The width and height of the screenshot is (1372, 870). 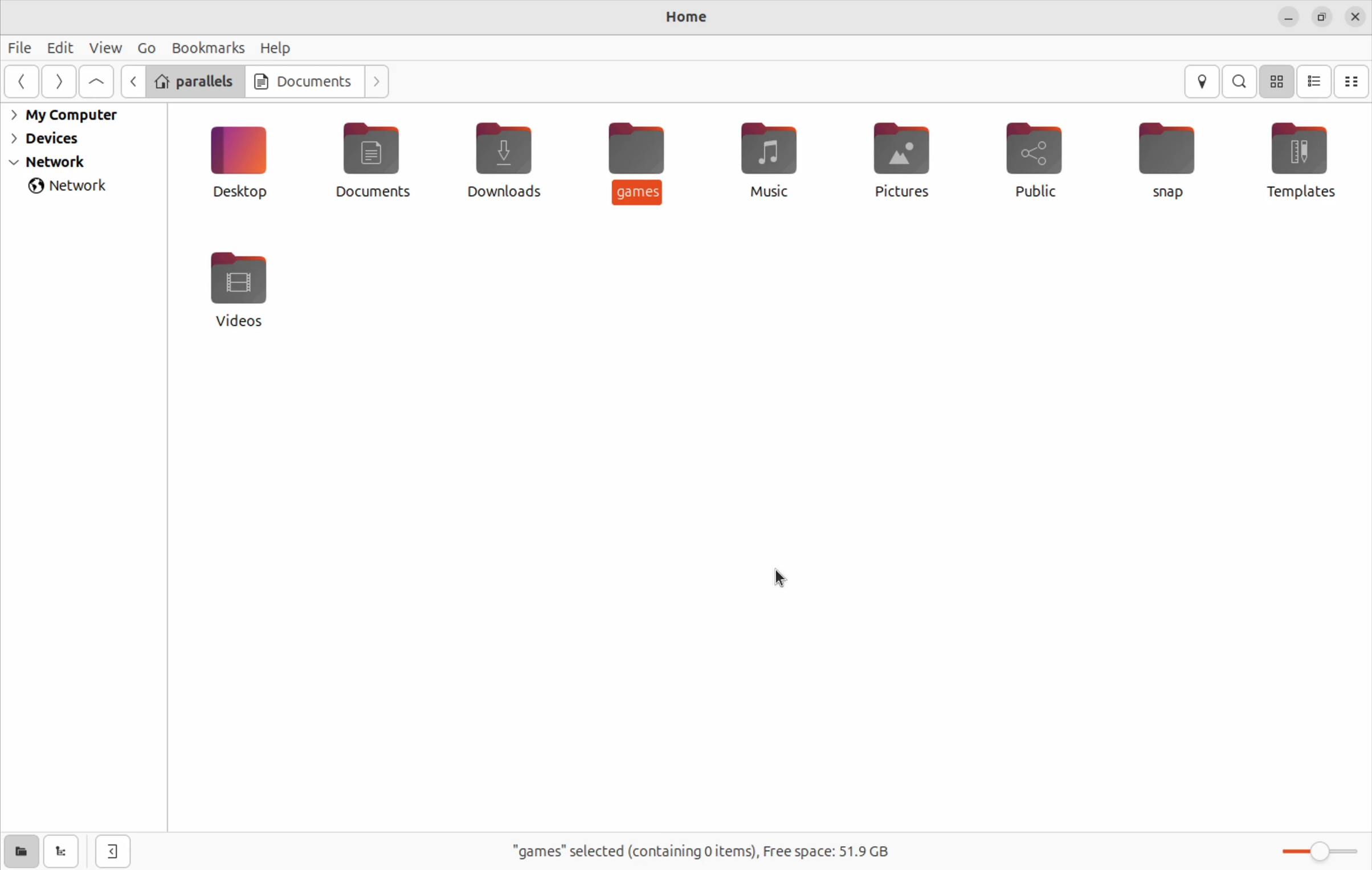 I want to click on downloads, so click(x=511, y=160).